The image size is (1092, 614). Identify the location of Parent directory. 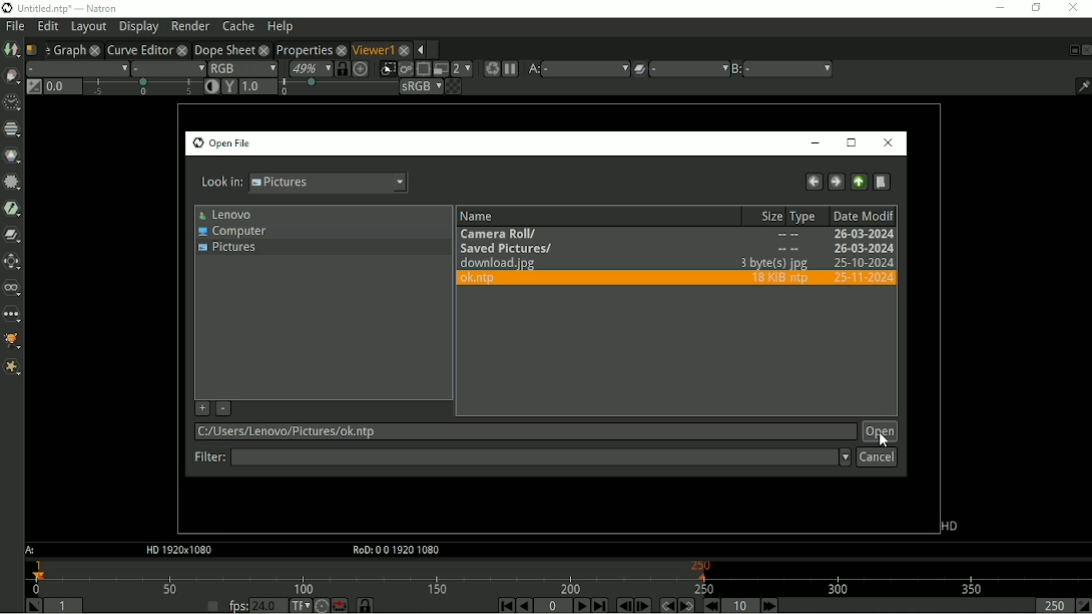
(860, 182).